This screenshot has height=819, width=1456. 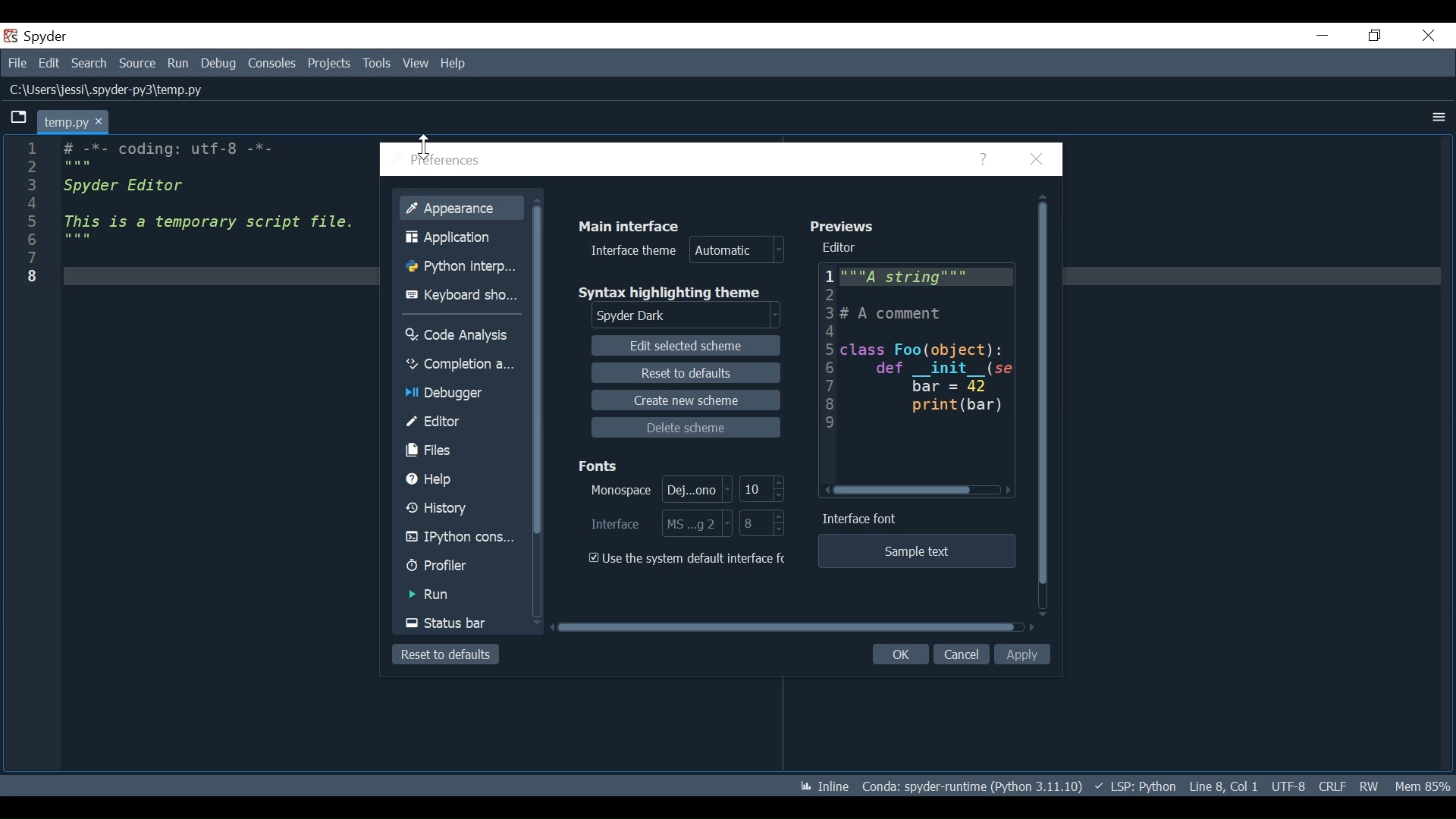 I want to click on Edit selected scheme, so click(x=685, y=345).